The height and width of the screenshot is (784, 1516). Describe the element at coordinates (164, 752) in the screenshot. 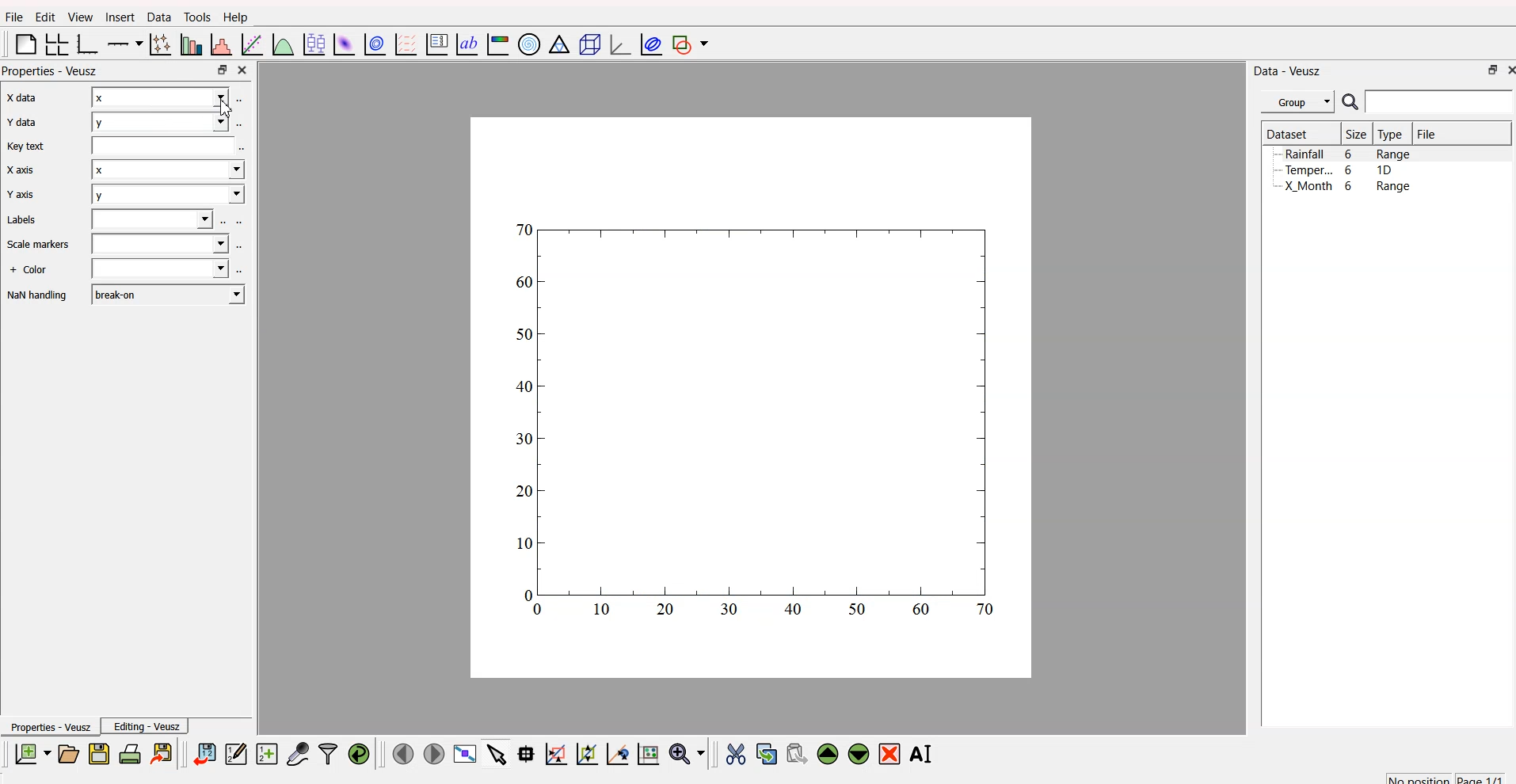

I see `export to graphics format` at that location.